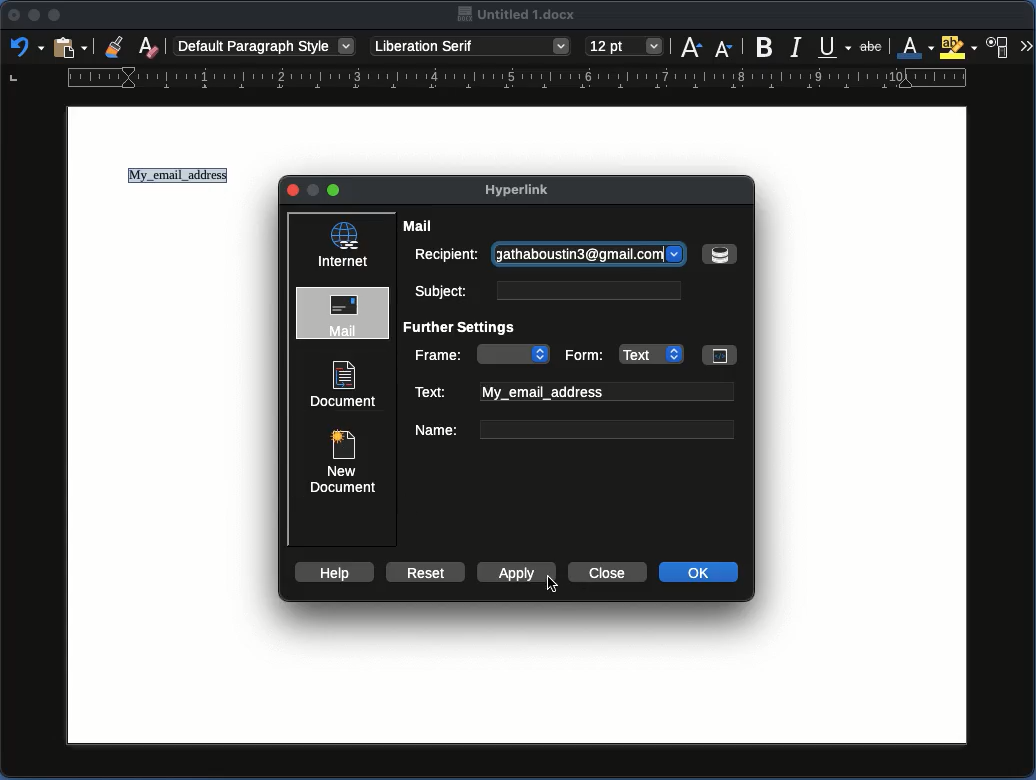  What do you see at coordinates (482, 354) in the screenshot?
I see `Frame` at bounding box center [482, 354].